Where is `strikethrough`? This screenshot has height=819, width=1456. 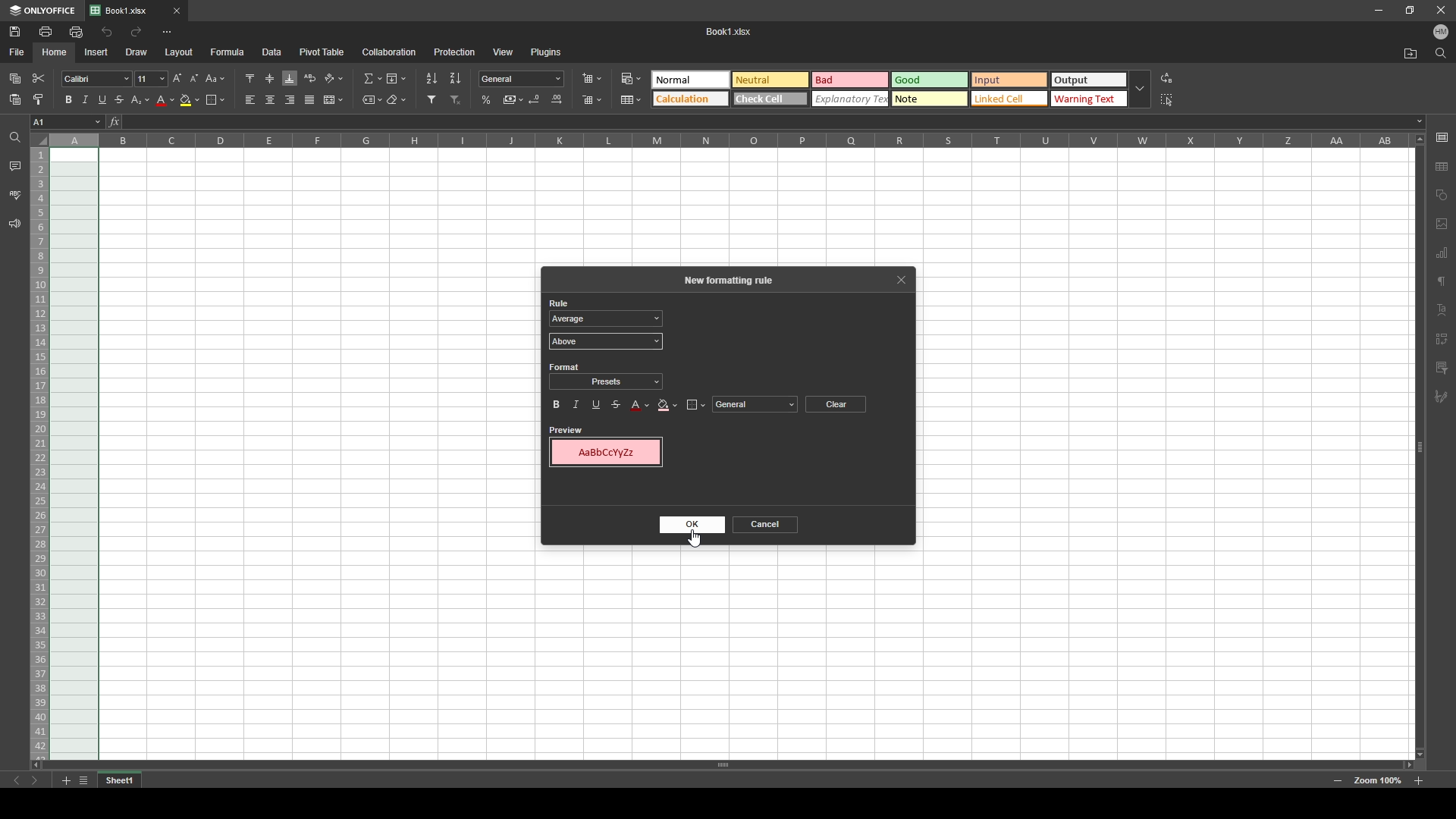 strikethrough is located at coordinates (617, 403).